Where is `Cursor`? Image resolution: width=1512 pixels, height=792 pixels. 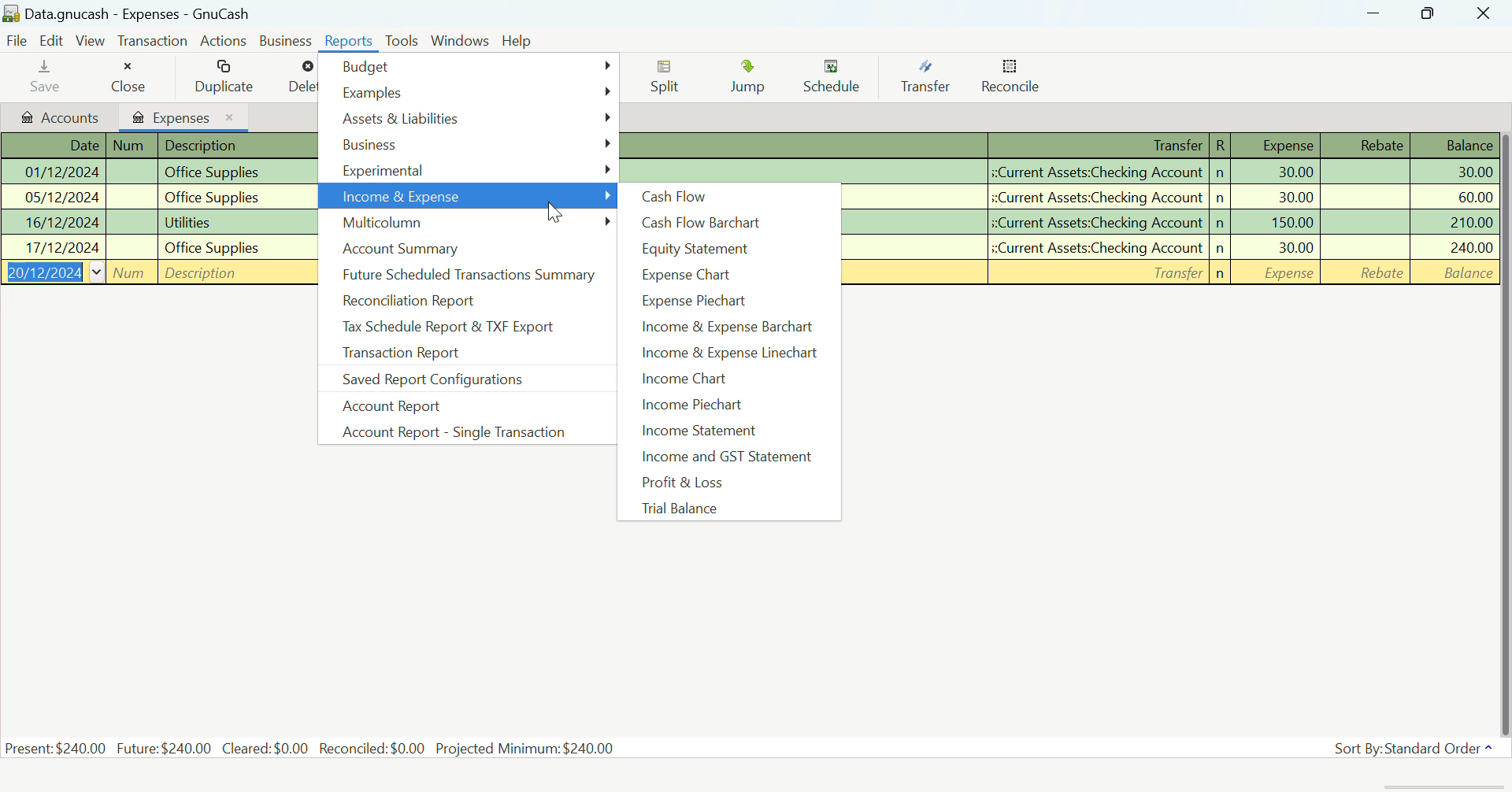 Cursor is located at coordinates (554, 214).